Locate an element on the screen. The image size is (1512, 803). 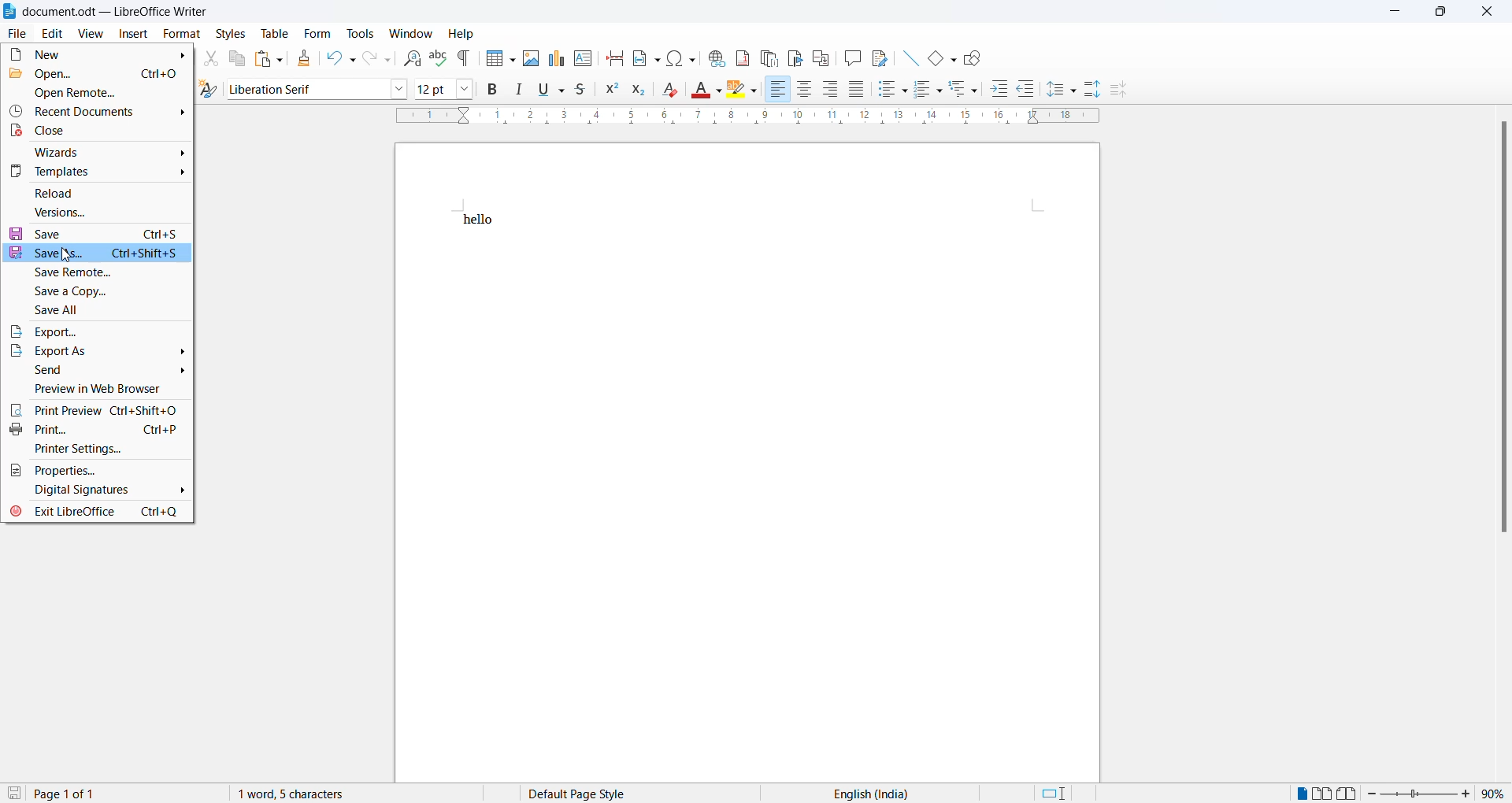
Current selected font size is located at coordinates (434, 88).